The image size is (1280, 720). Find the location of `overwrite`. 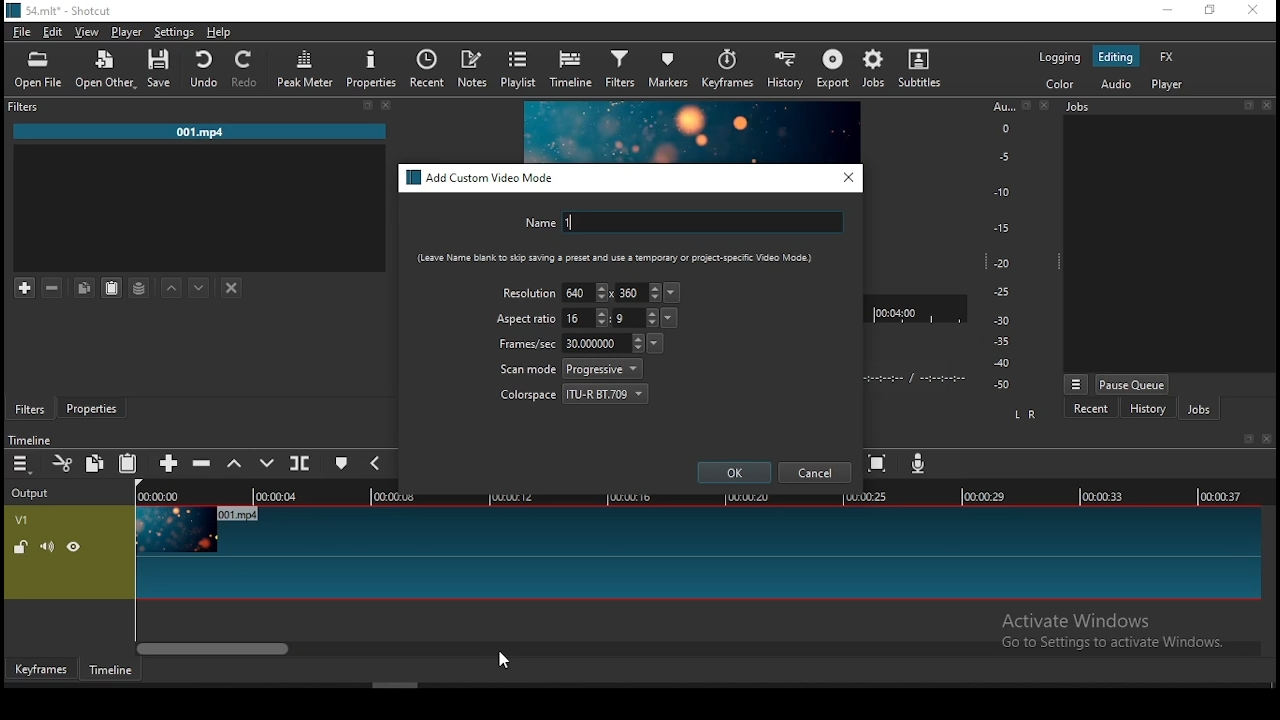

overwrite is located at coordinates (269, 463).